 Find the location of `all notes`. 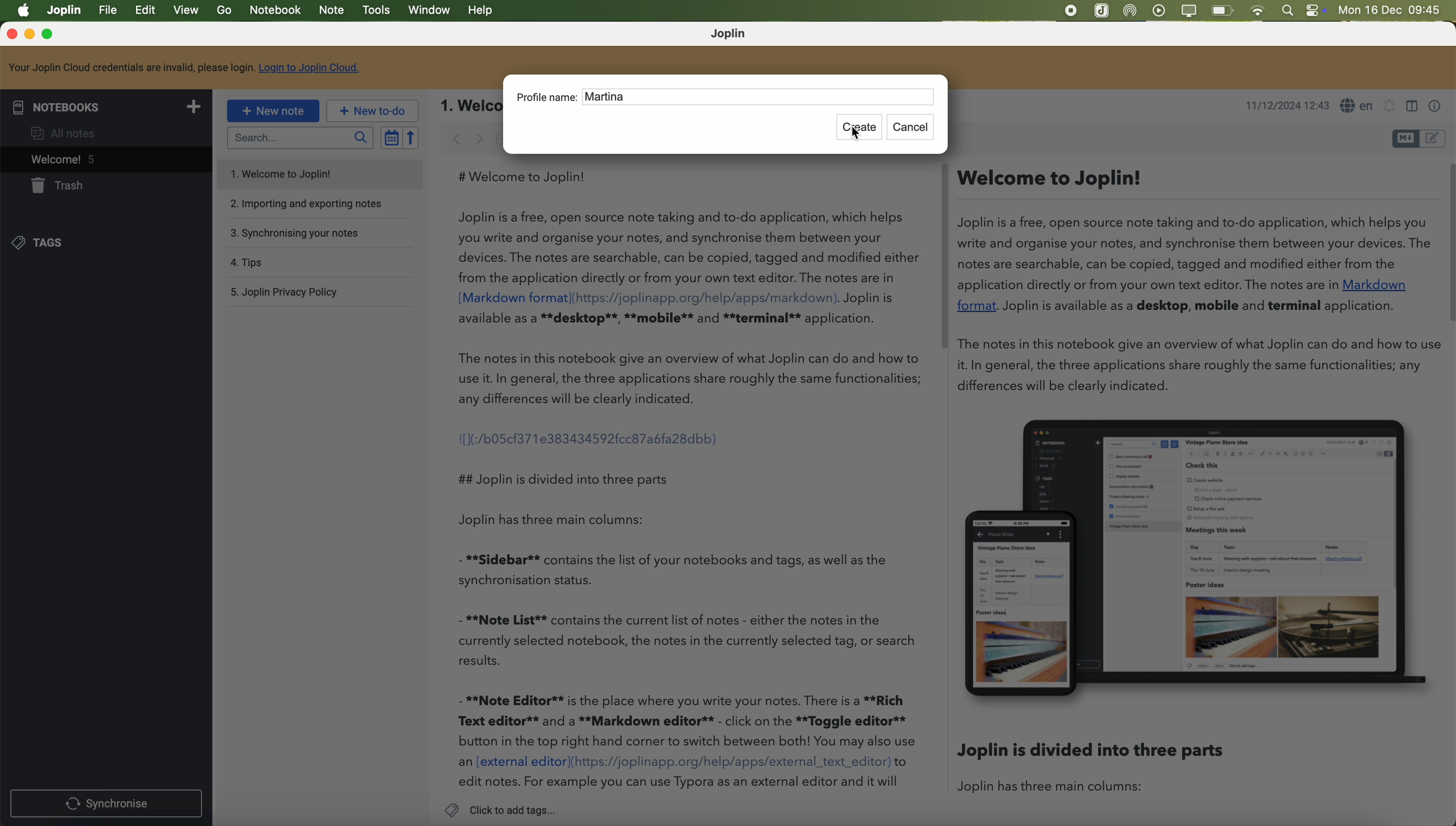

all notes is located at coordinates (66, 131).